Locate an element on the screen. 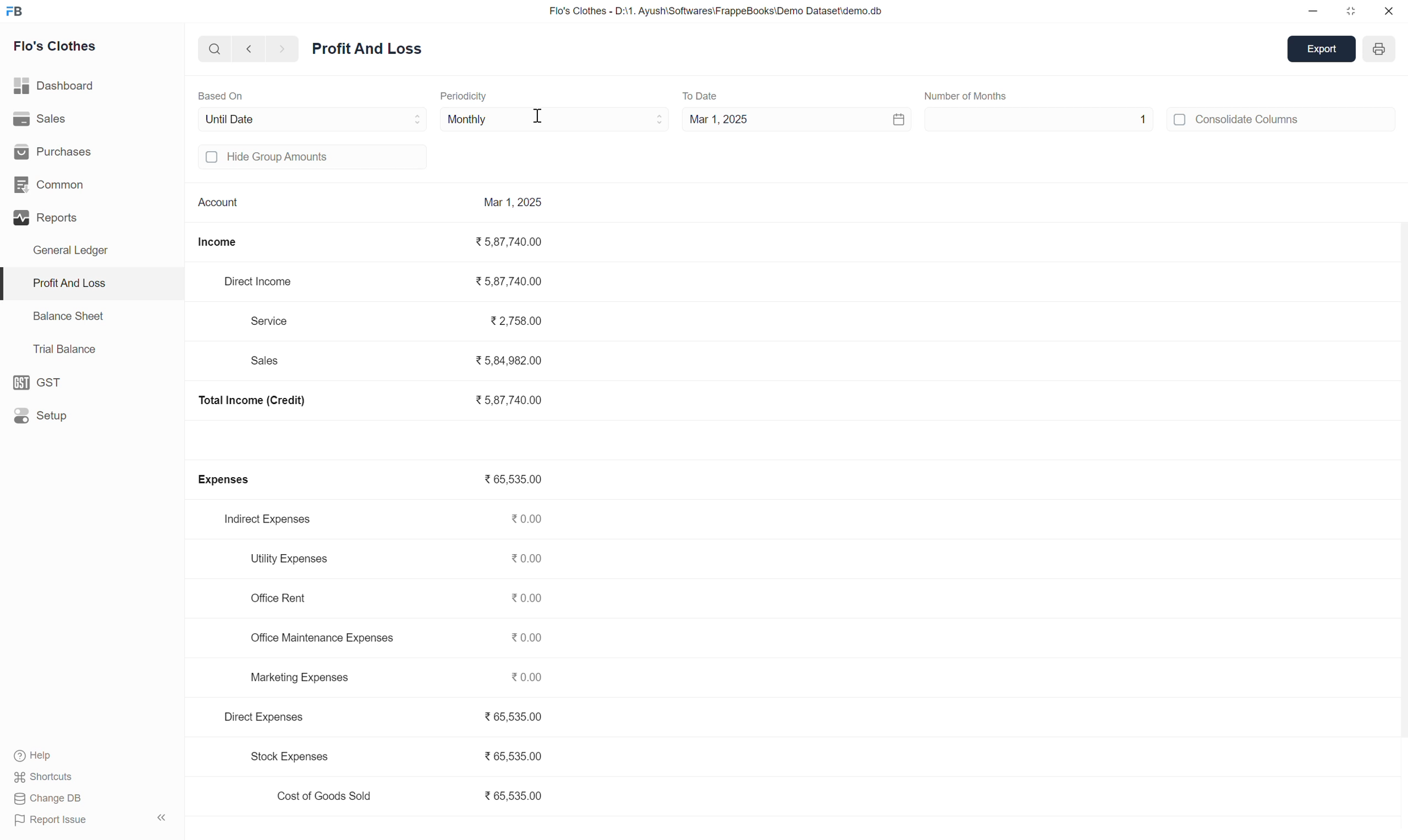 The height and width of the screenshot is (840, 1408). Periodicity dropdown is located at coordinates (630, 119).